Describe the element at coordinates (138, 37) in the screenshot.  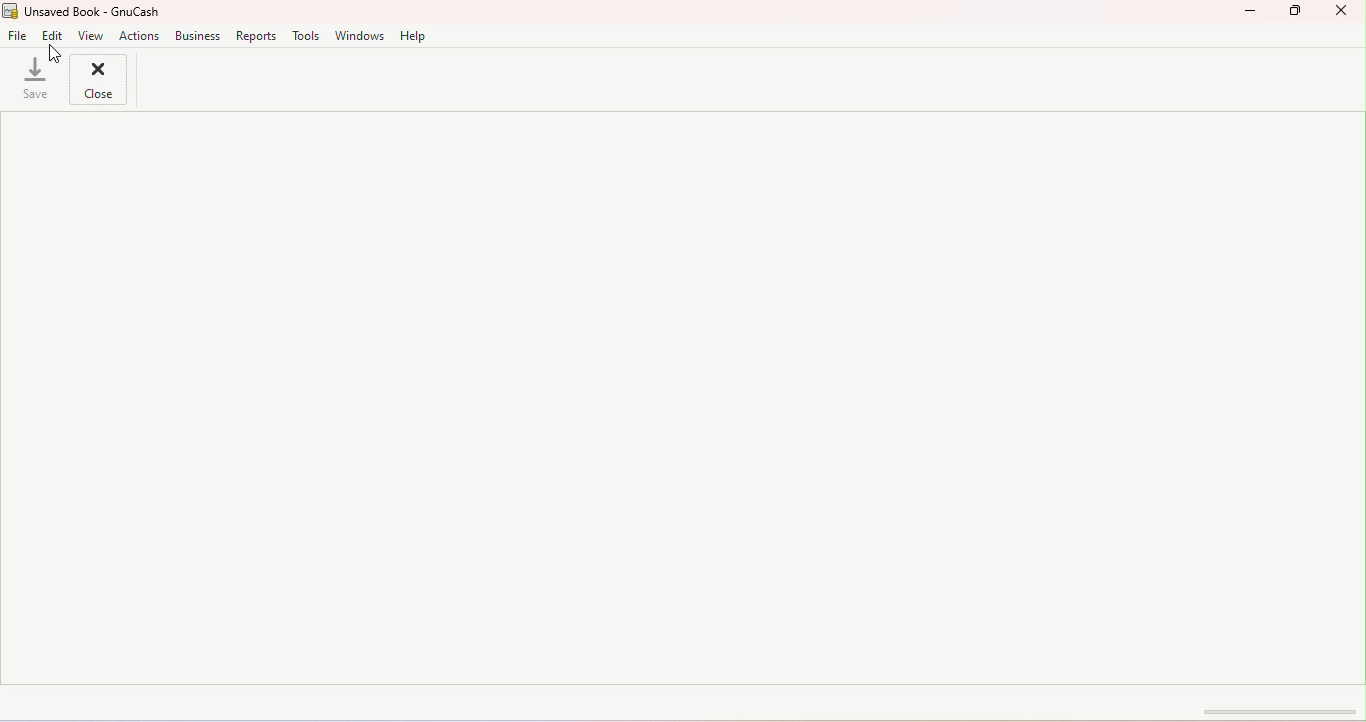
I see `actions` at that location.